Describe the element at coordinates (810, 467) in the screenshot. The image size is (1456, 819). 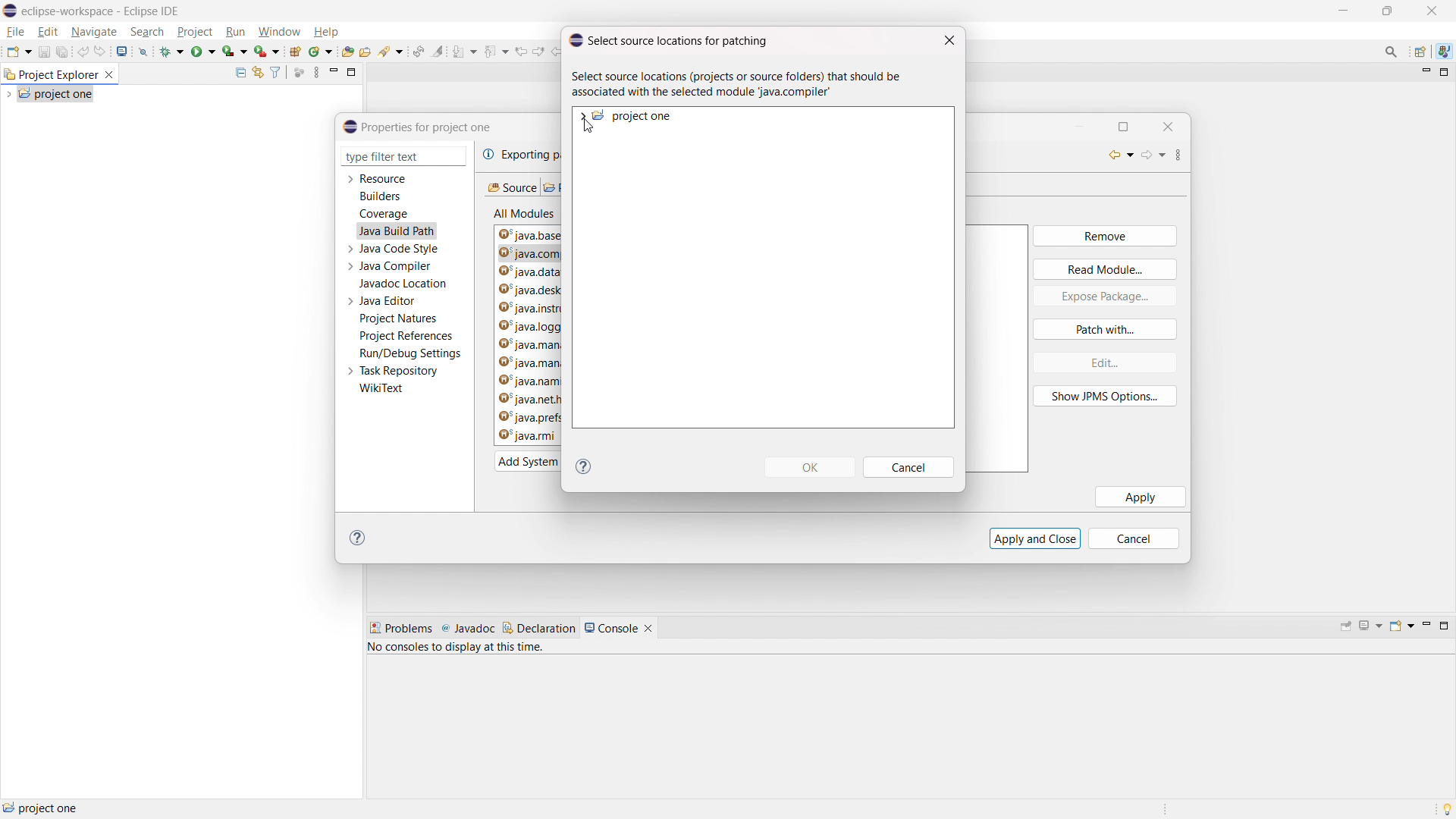
I see `ok` at that location.